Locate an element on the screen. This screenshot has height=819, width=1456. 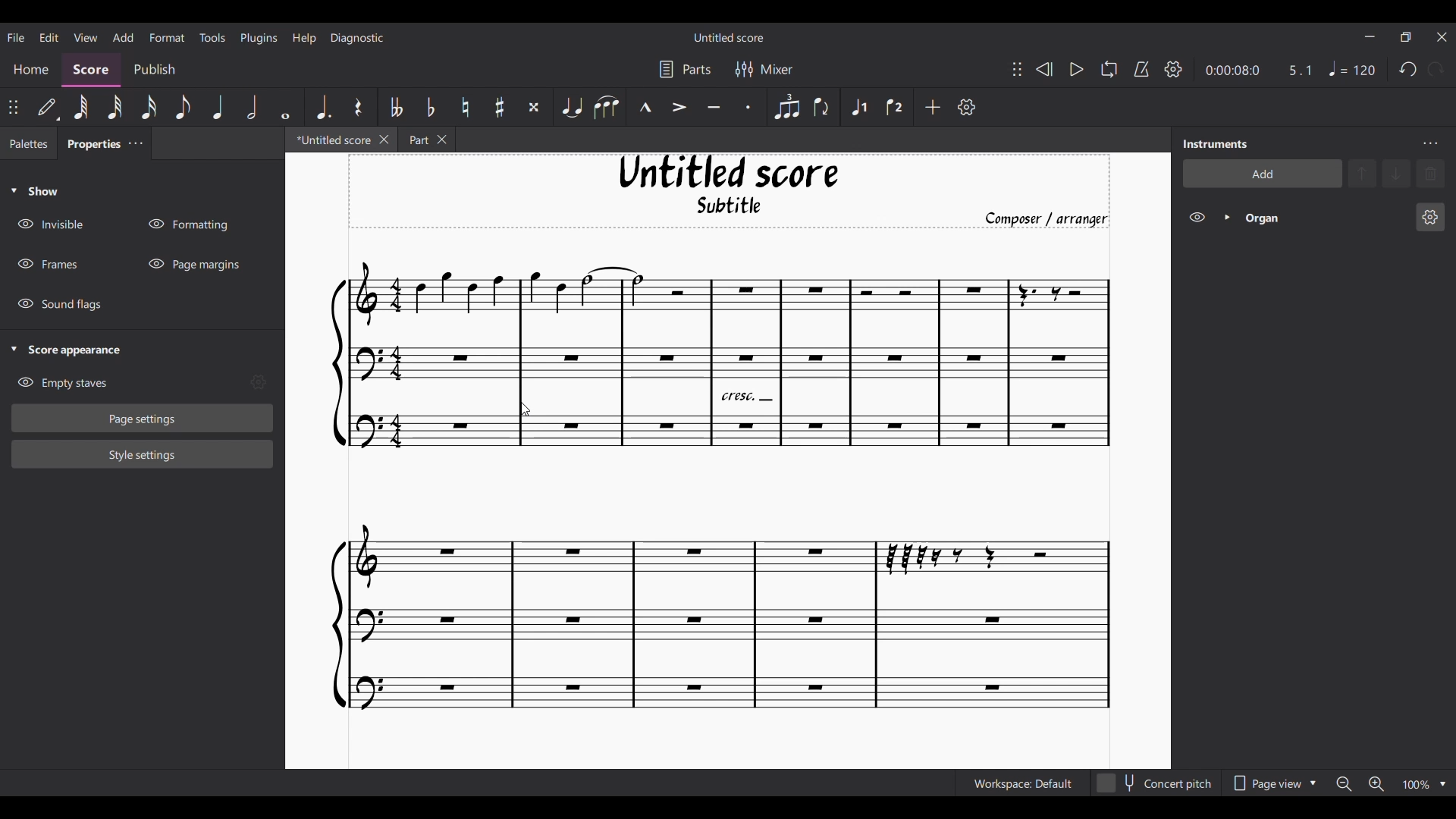
Show interface in a smaller tab is located at coordinates (1405, 37).